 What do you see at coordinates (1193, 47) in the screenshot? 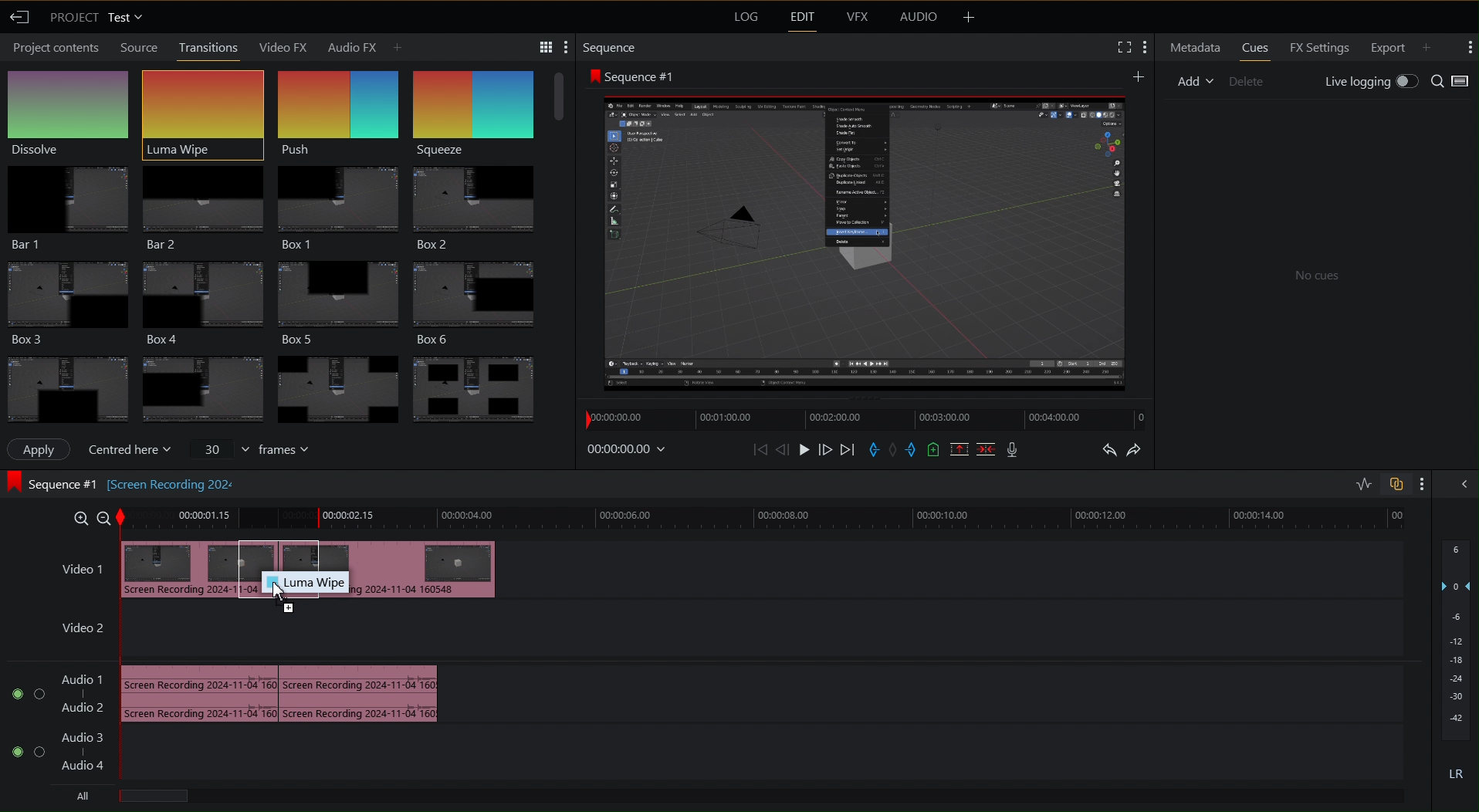
I see `Metadata` at bounding box center [1193, 47].